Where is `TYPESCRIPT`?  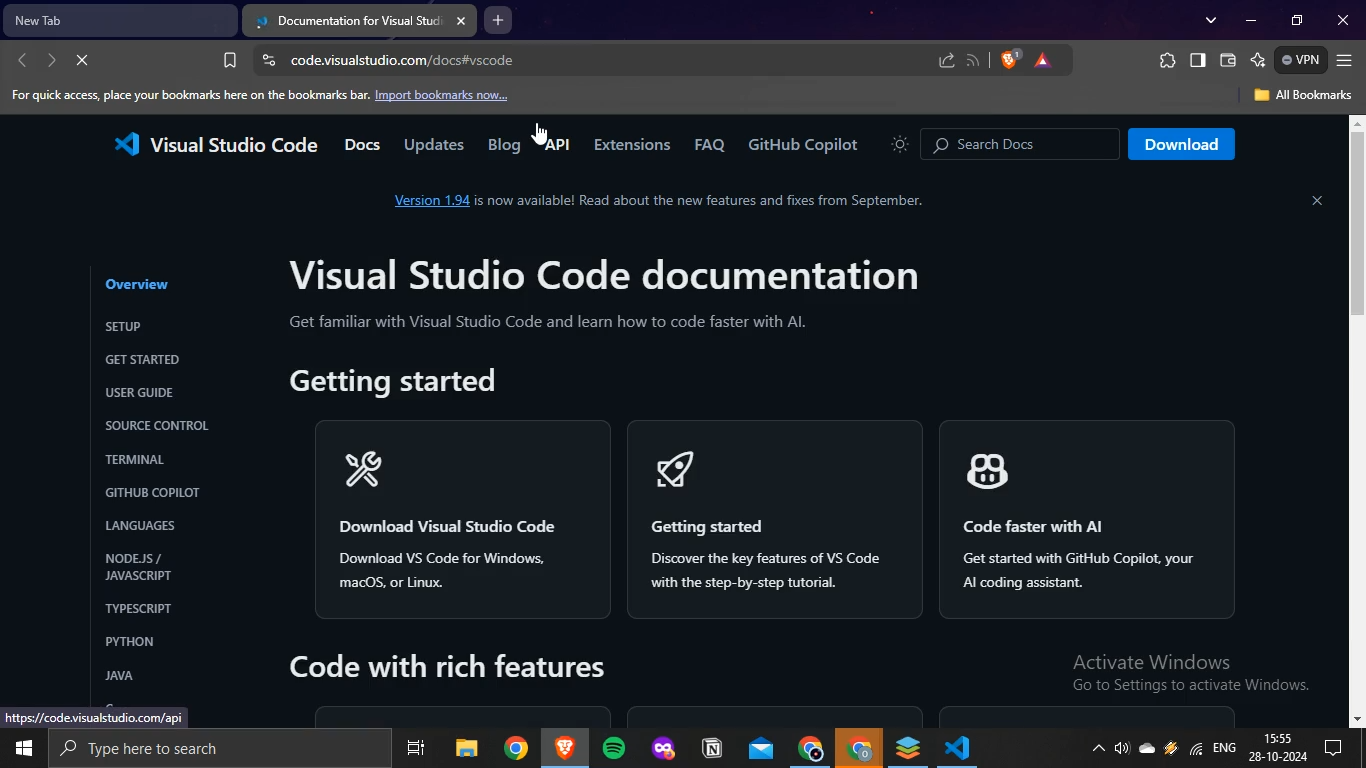 TYPESCRIPT is located at coordinates (139, 608).